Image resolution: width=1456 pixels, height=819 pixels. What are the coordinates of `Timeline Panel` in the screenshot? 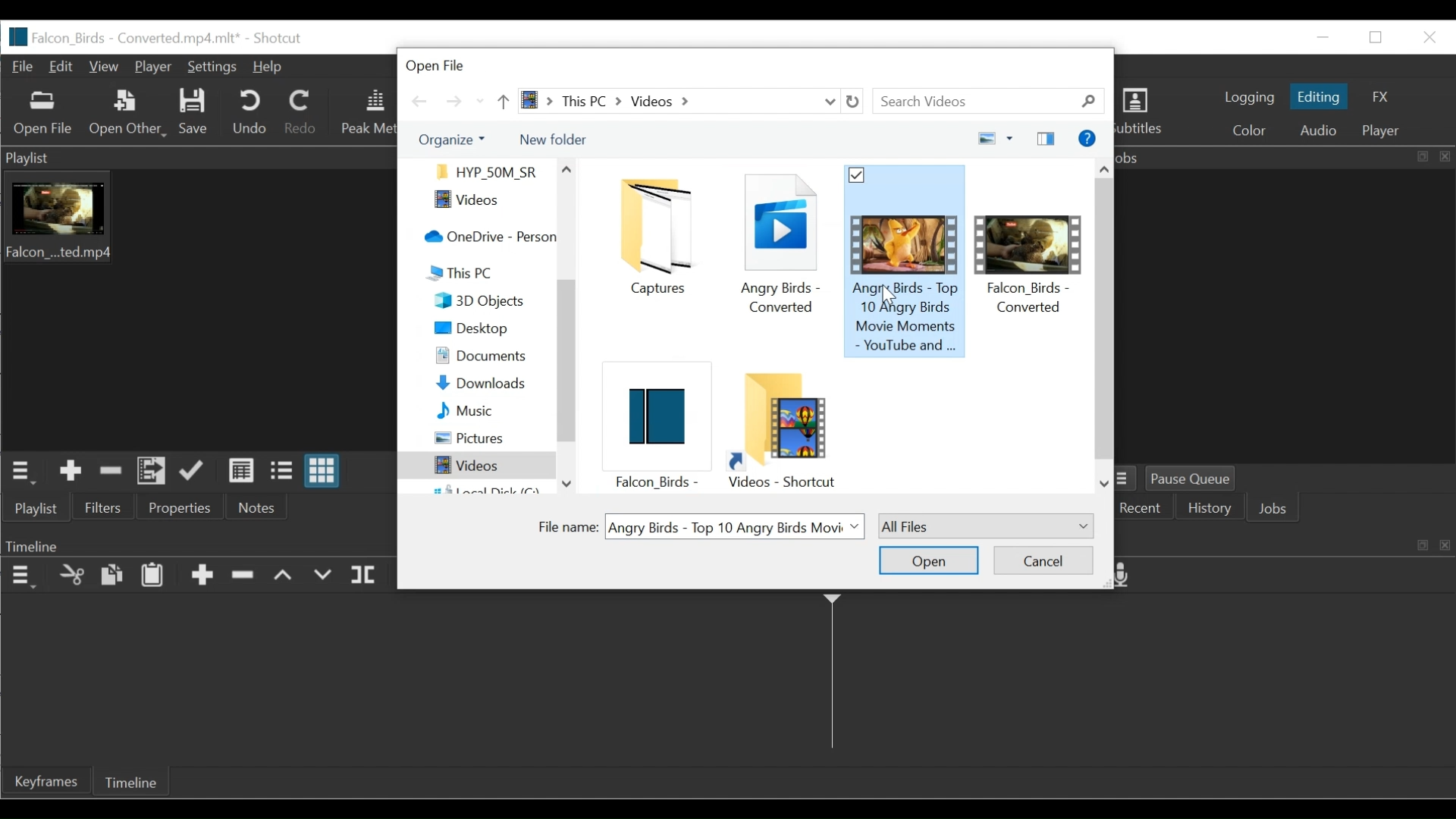 It's located at (196, 545).